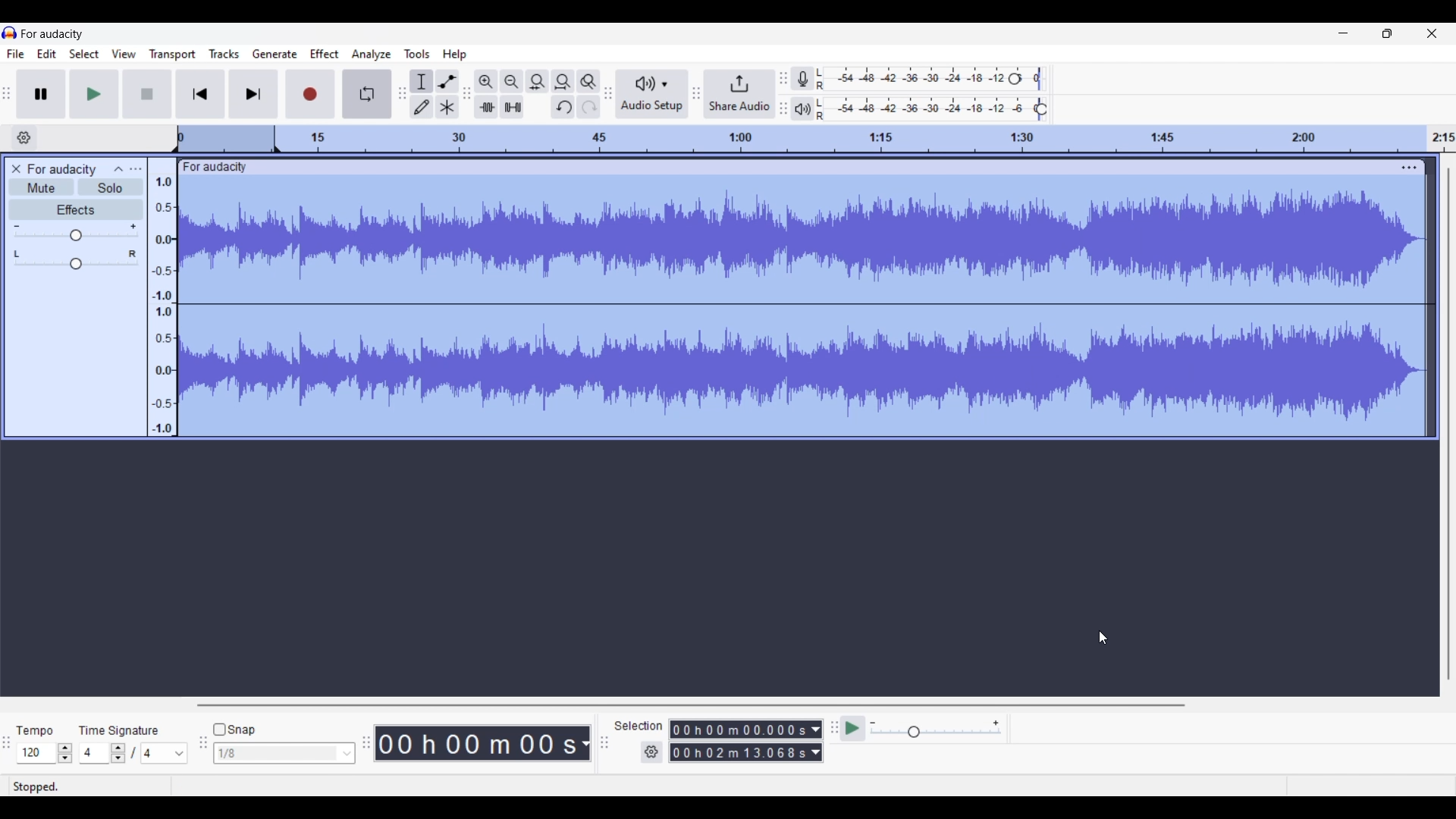 This screenshot has height=819, width=1456. What do you see at coordinates (226, 140) in the screenshot?
I see `Header space ` at bounding box center [226, 140].